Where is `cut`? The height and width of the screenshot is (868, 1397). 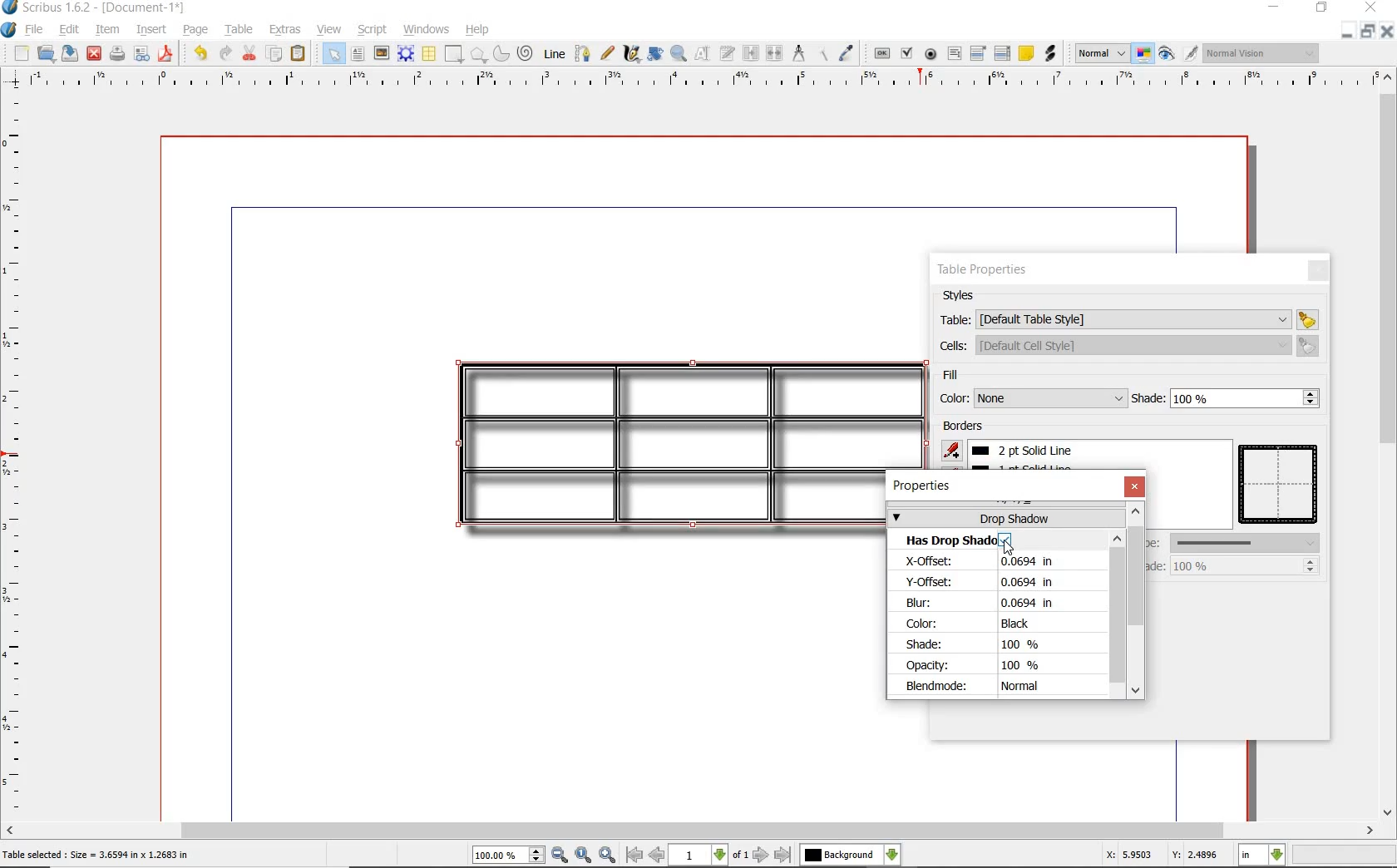
cut is located at coordinates (250, 54).